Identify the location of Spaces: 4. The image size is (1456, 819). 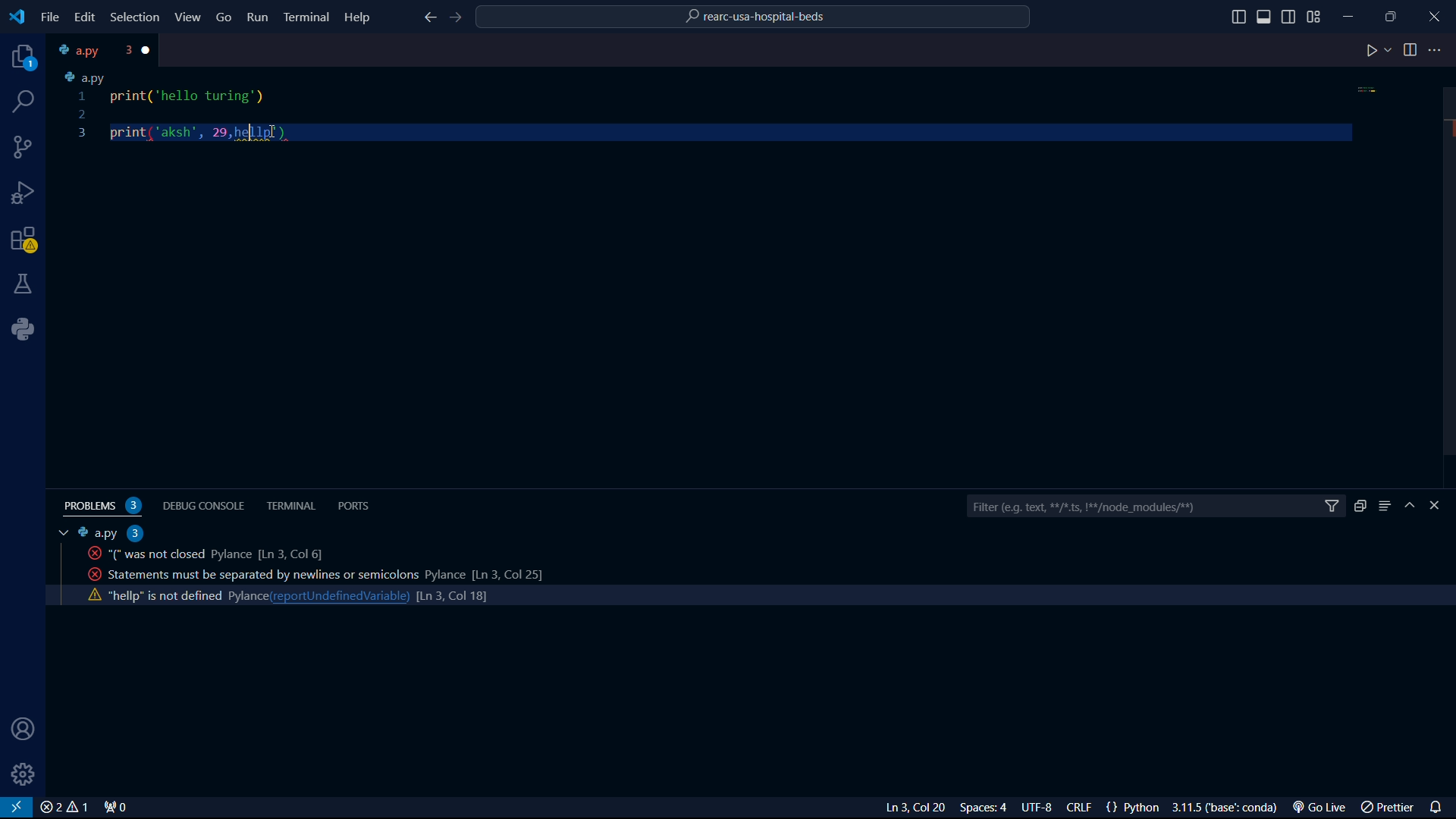
(987, 808).